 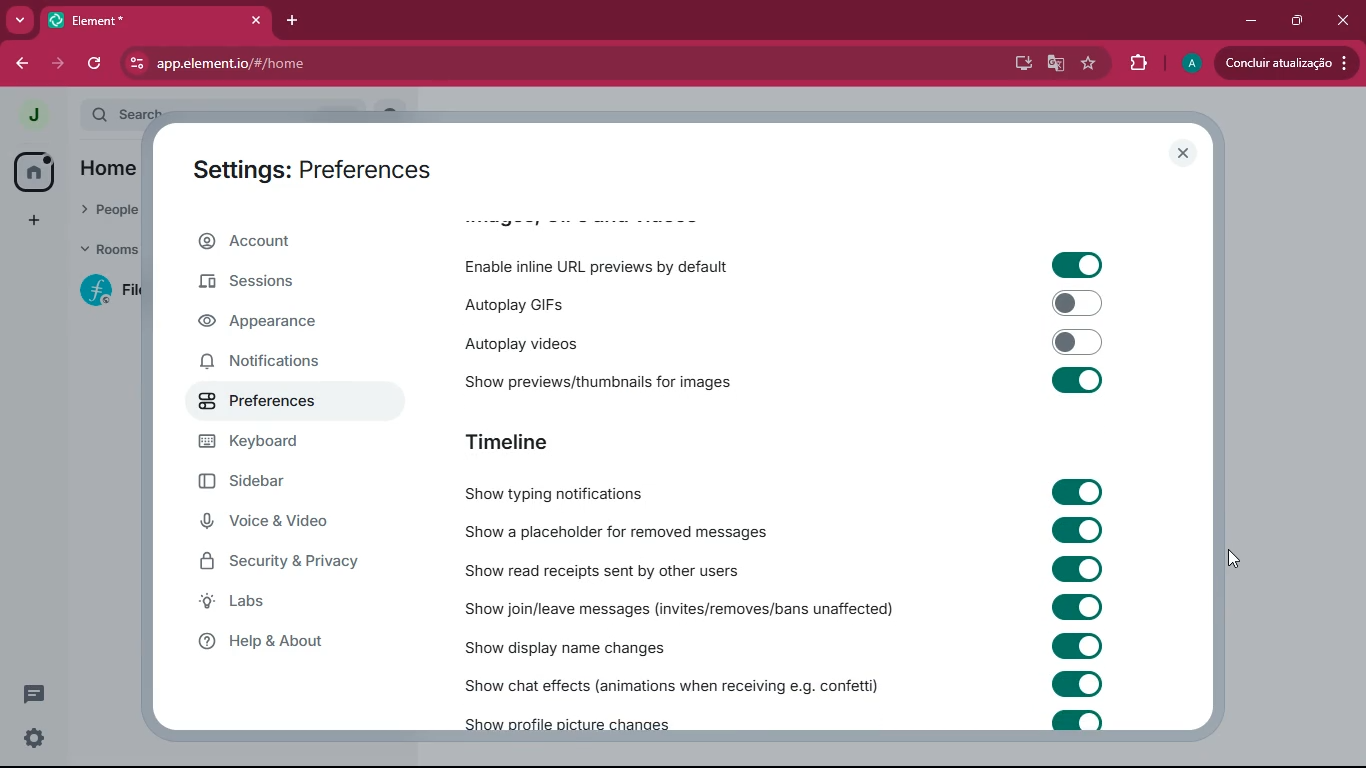 I want to click on maximize, so click(x=1299, y=21).